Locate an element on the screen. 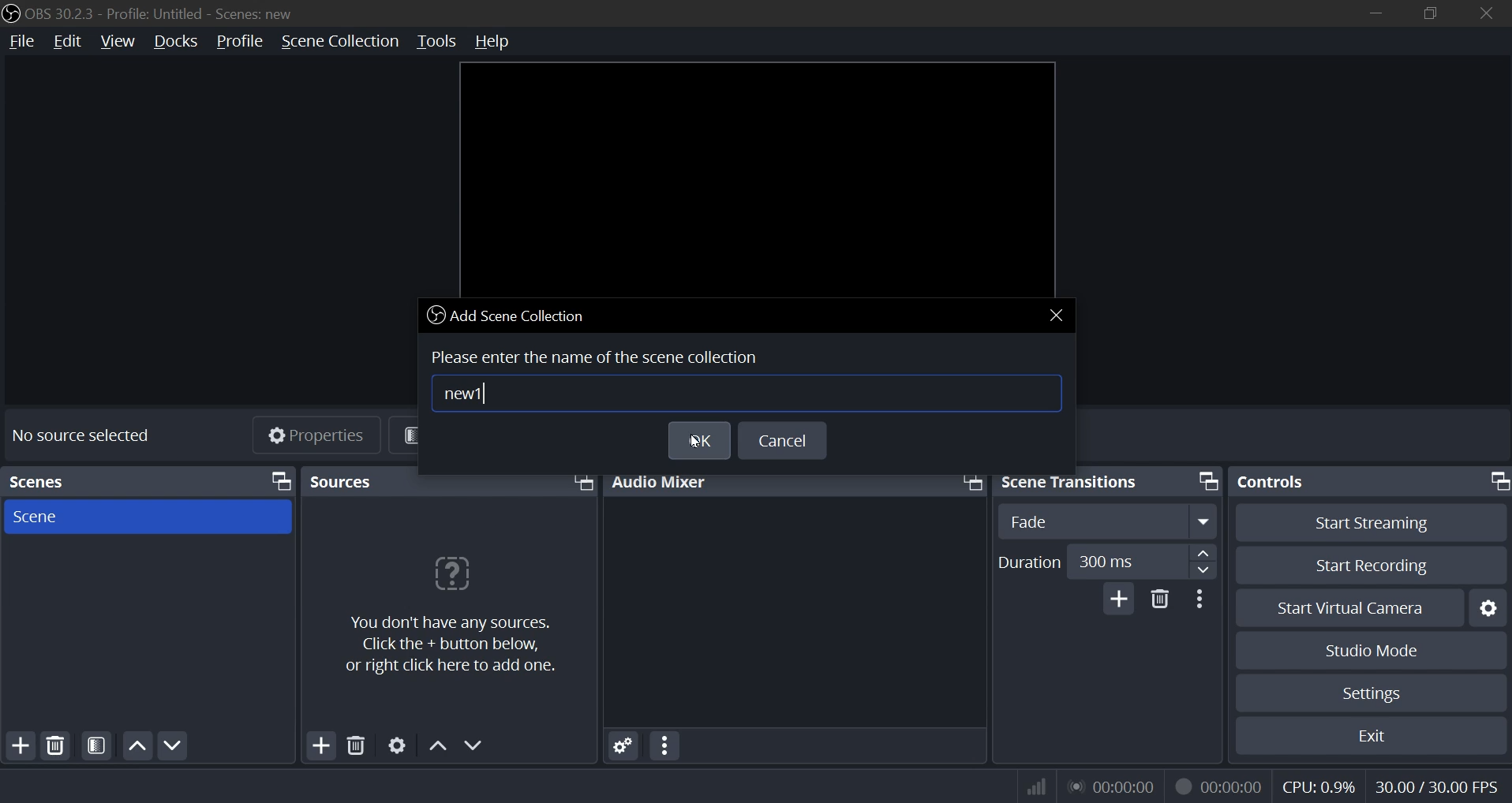 The height and width of the screenshot is (803, 1512). OBS 30.2.3 - Profile: Untitled - Scenes: new is located at coordinates (175, 16).